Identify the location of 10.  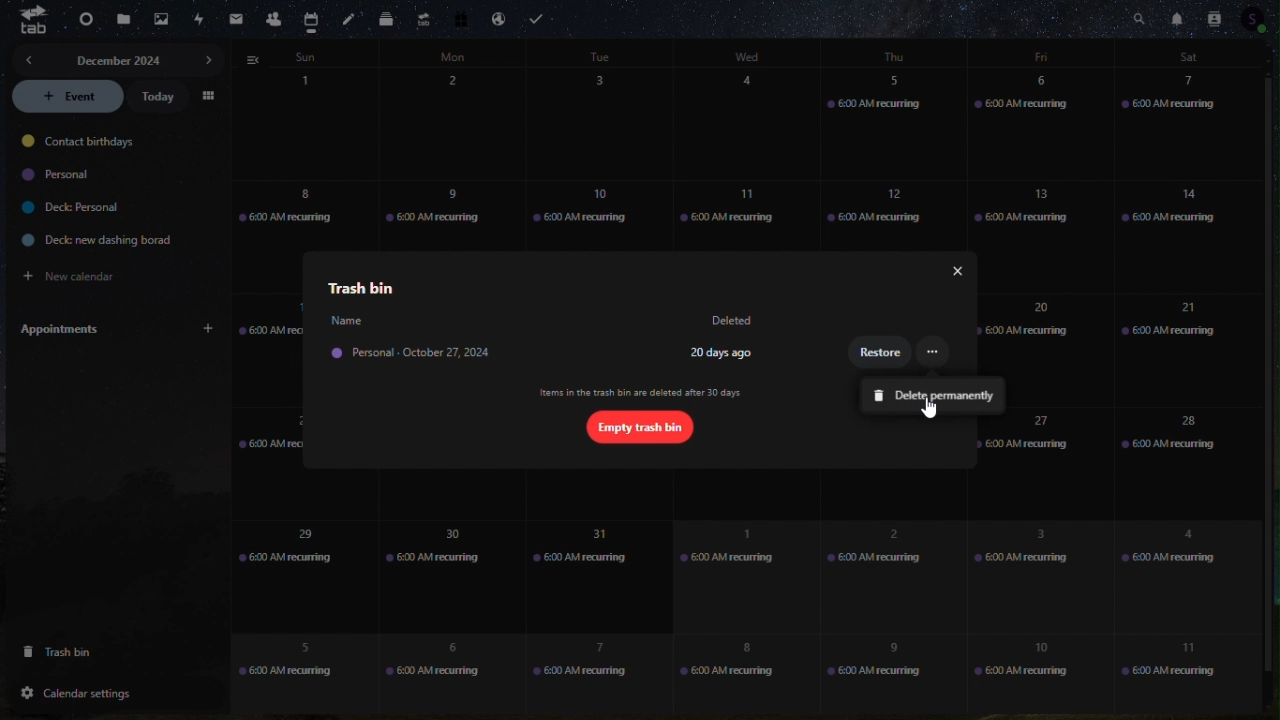
(594, 207).